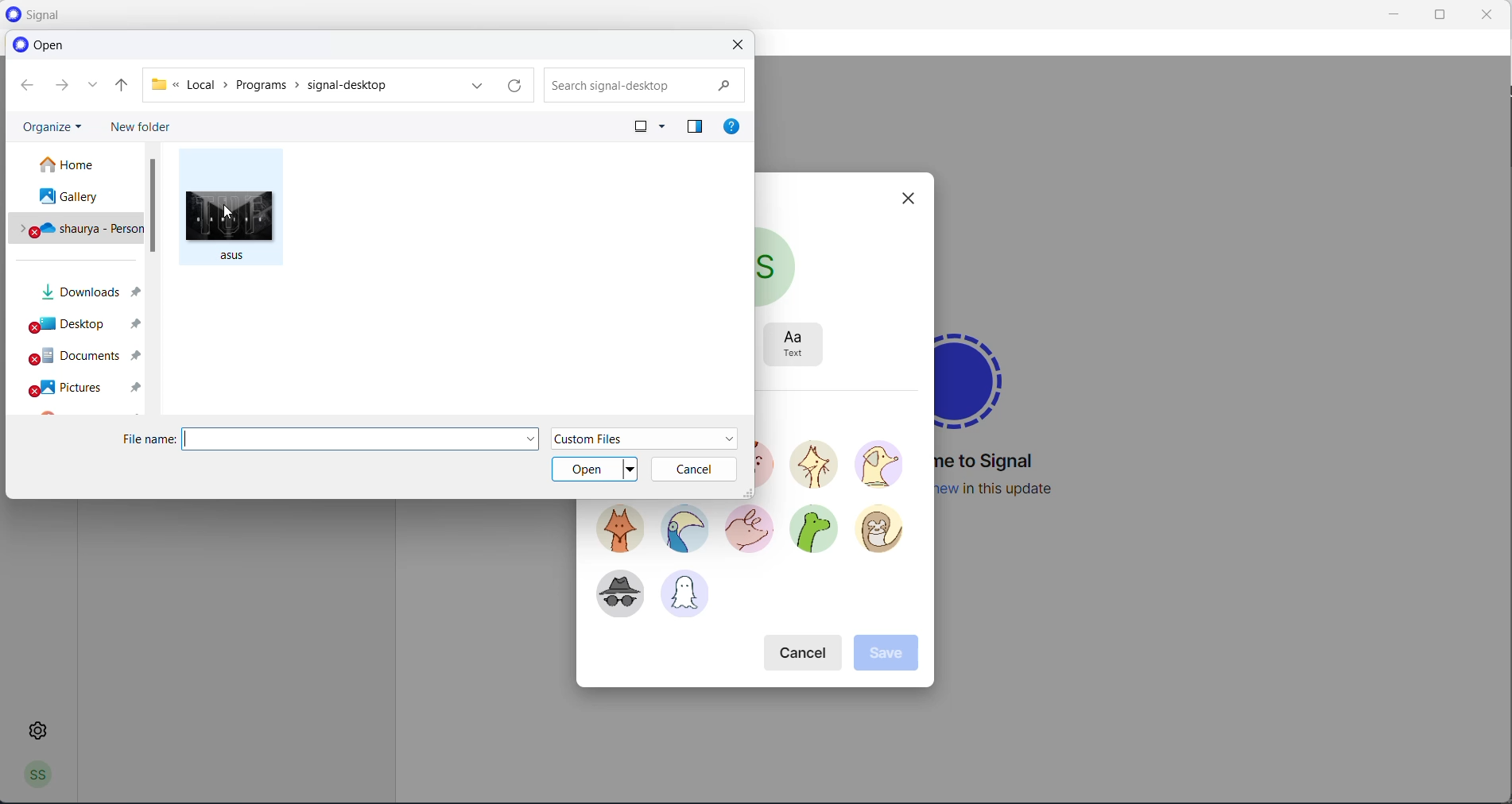 This screenshot has width=1512, height=804. Describe the element at coordinates (237, 225) in the screenshot. I see `picture` at that location.